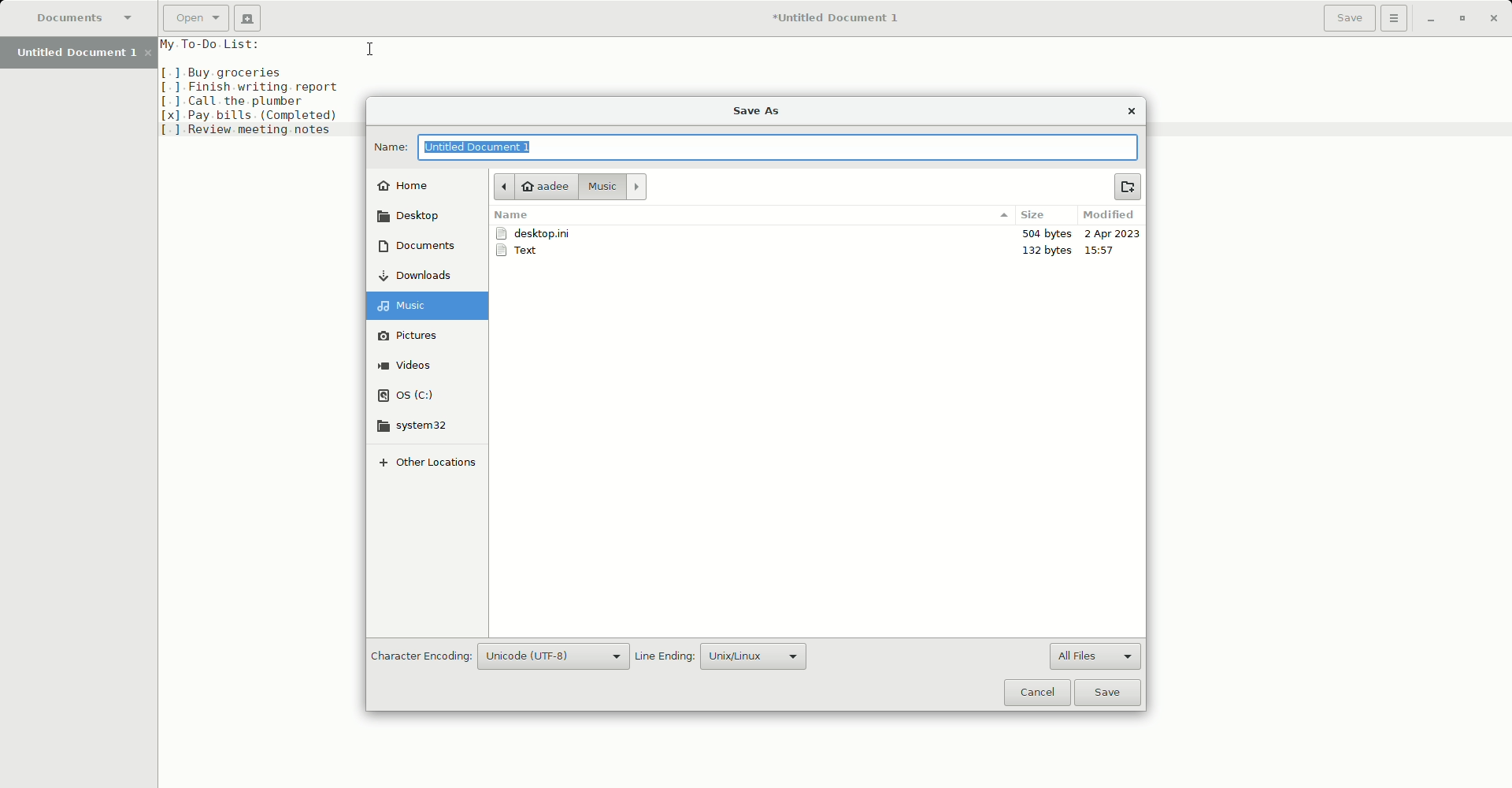 The width and height of the screenshot is (1512, 788). What do you see at coordinates (1460, 18) in the screenshot?
I see `Restore` at bounding box center [1460, 18].